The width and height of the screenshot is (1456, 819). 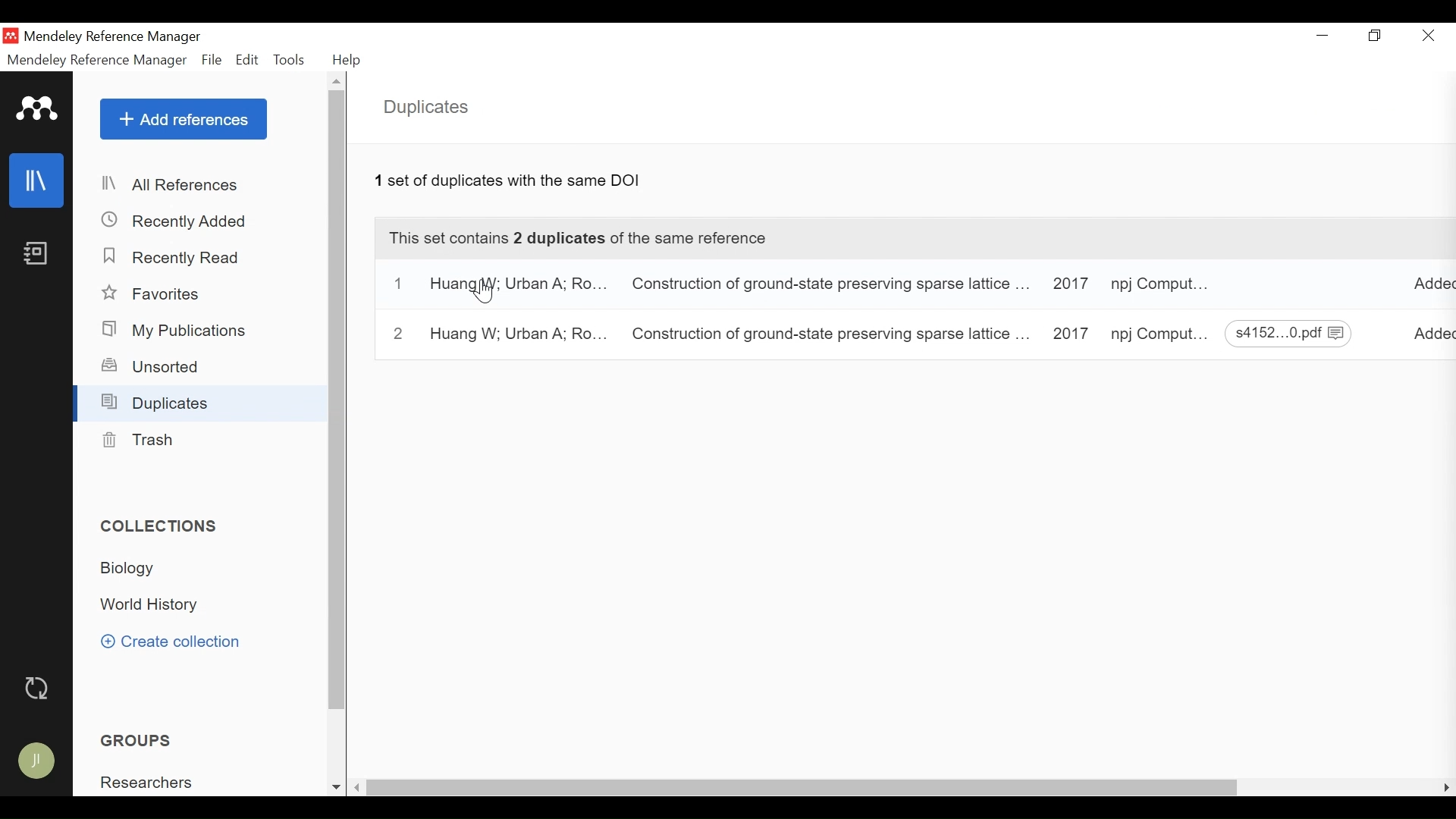 What do you see at coordinates (249, 60) in the screenshot?
I see `Edit` at bounding box center [249, 60].